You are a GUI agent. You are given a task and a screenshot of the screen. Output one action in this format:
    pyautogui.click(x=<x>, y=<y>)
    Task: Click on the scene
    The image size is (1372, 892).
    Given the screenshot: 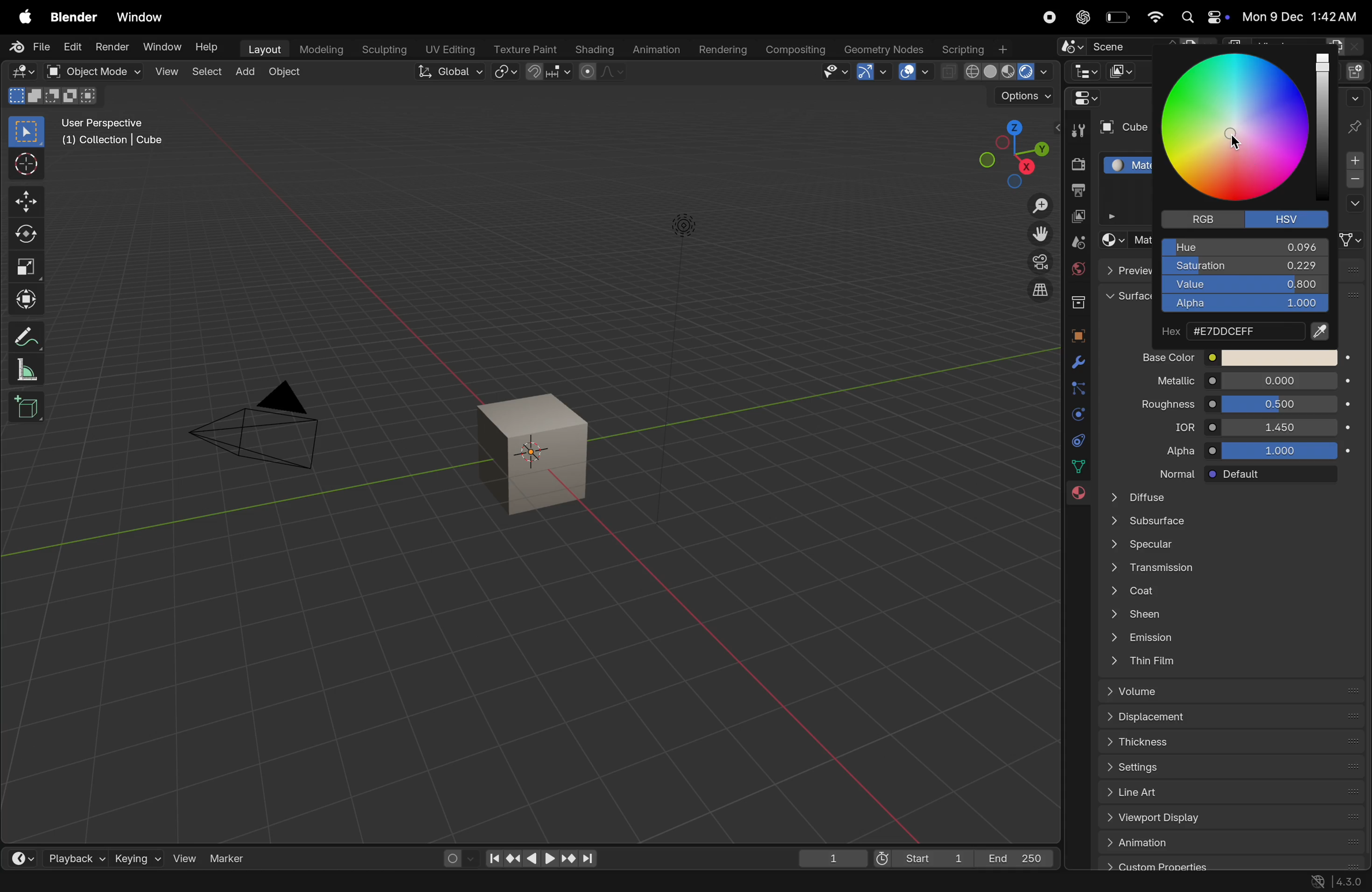 What is the action you would take?
    pyautogui.click(x=1130, y=44)
    